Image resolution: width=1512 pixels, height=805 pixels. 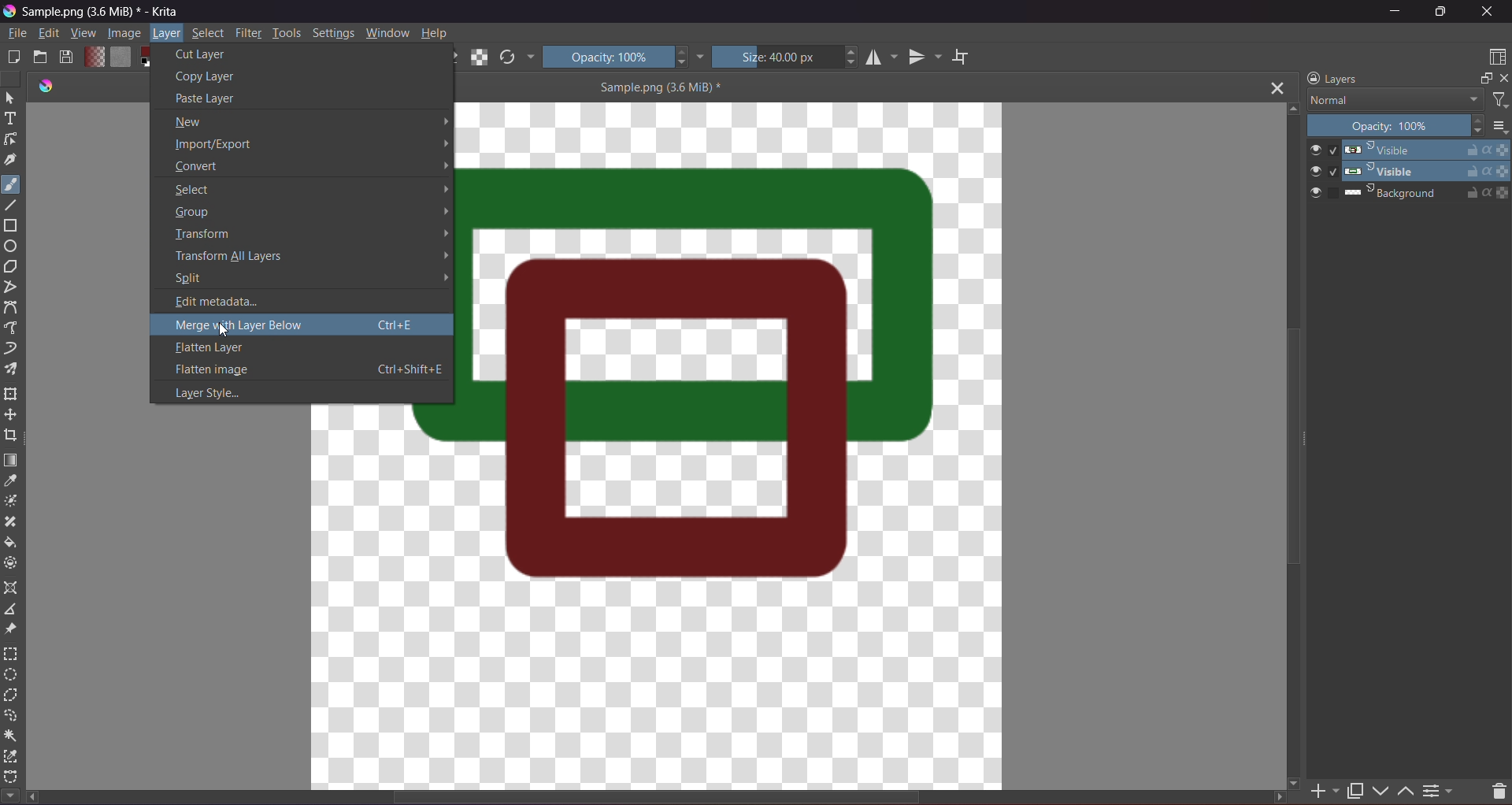 What do you see at coordinates (11, 436) in the screenshot?
I see `Crop` at bounding box center [11, 436].